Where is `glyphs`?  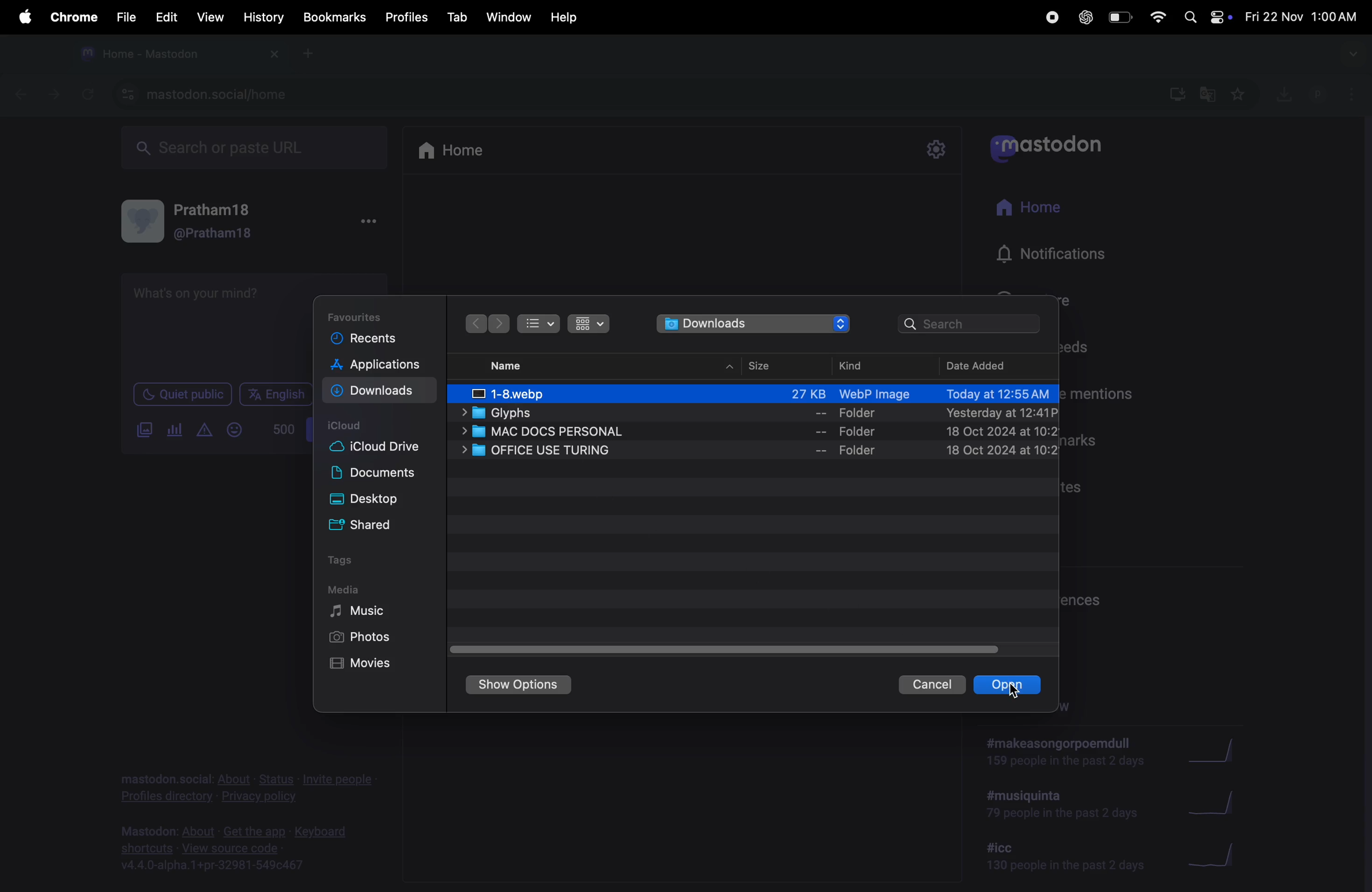 glyphs is located at coordinates (756, 413).